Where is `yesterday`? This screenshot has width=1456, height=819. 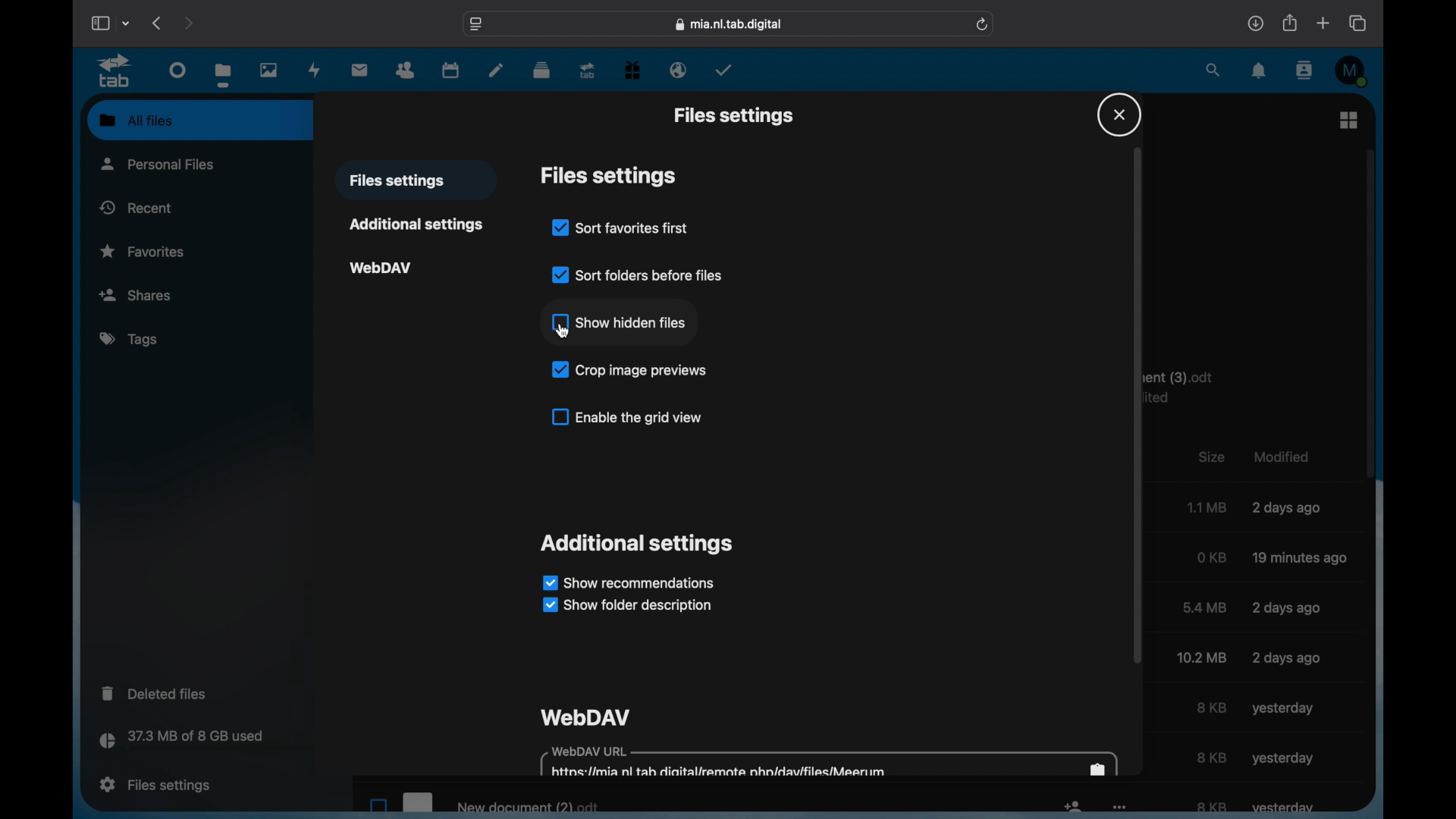 yesterday is located at coordinates (1284, 808).